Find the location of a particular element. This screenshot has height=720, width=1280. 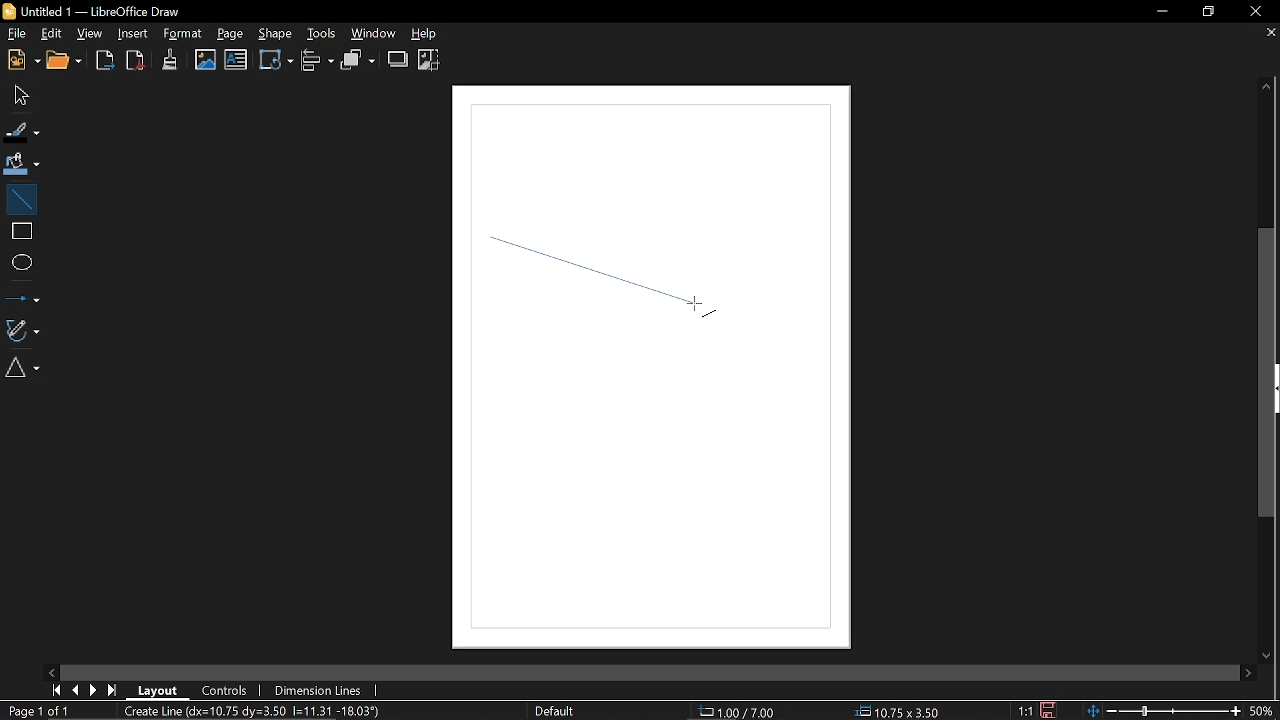

Export to pdf is located at coordinates (134, 60).